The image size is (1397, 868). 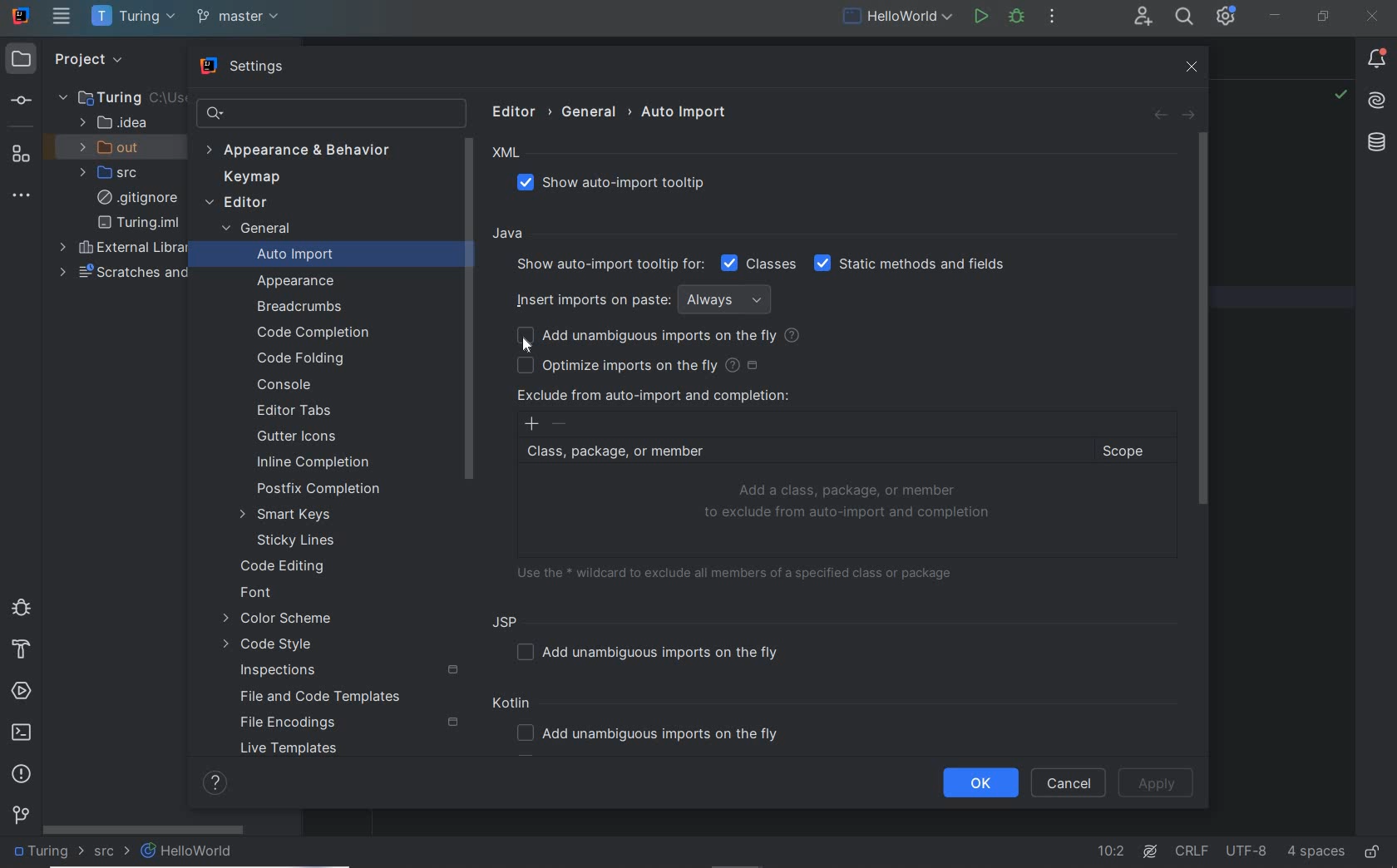 I want to click on Turing(project folder), so click(x=109, y=96).